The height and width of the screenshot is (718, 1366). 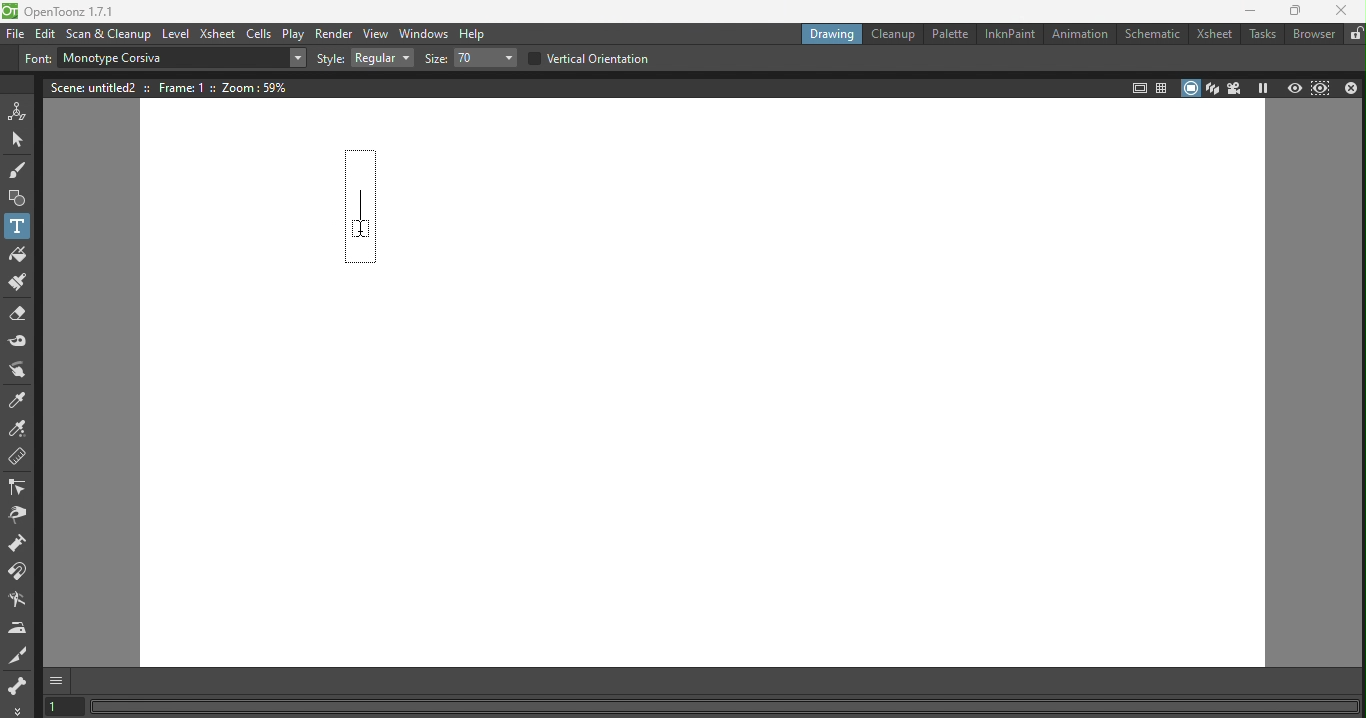 What do you see at coordinates (18, 142) in the screenshot?
I see `Selection tool` at bounding box center [18, 142].